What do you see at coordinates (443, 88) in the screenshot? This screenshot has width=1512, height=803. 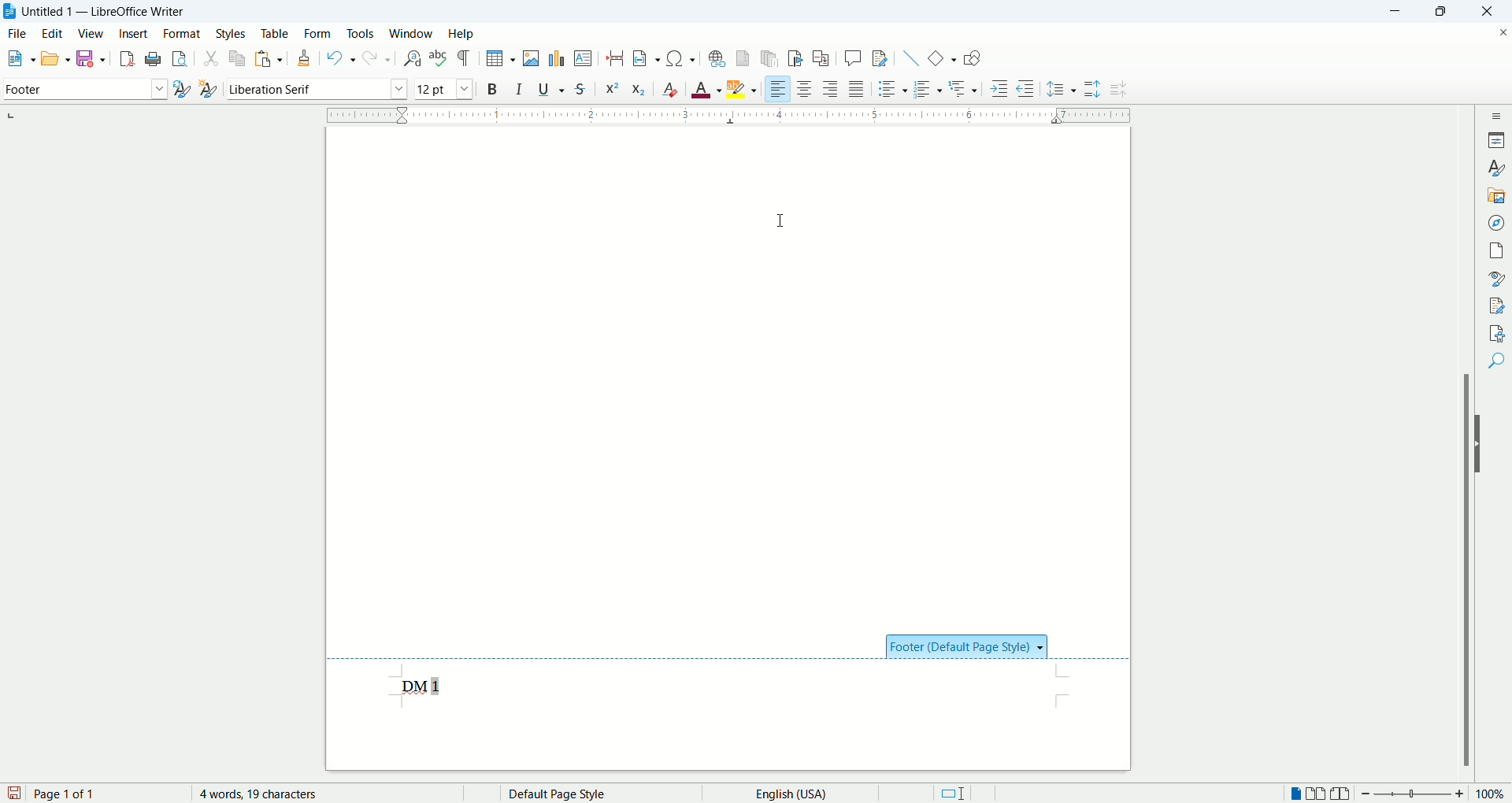 I see `font size` at bounding box center [443, 88].